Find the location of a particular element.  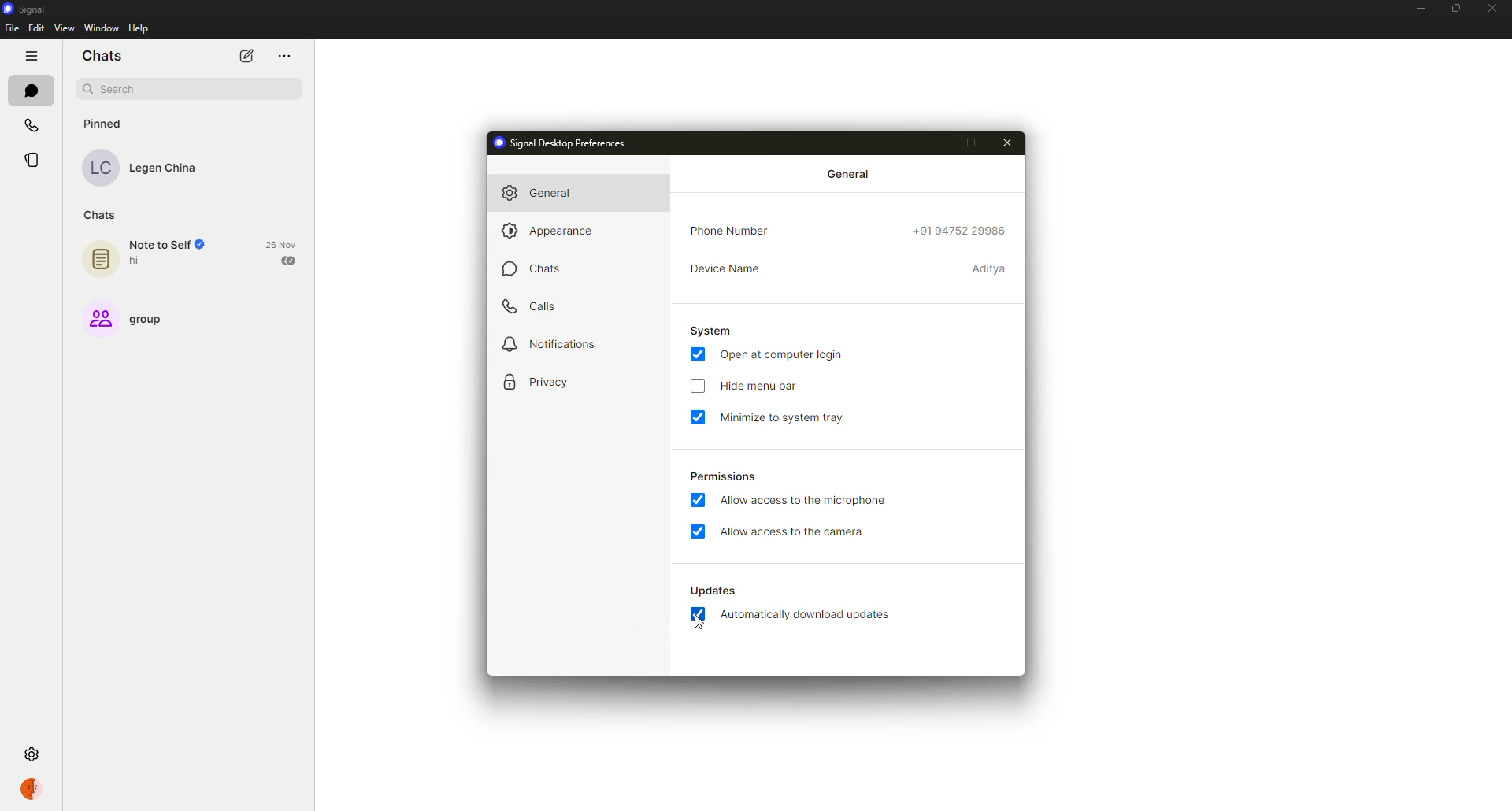

hide tabs is located at coordinates (33, 57).